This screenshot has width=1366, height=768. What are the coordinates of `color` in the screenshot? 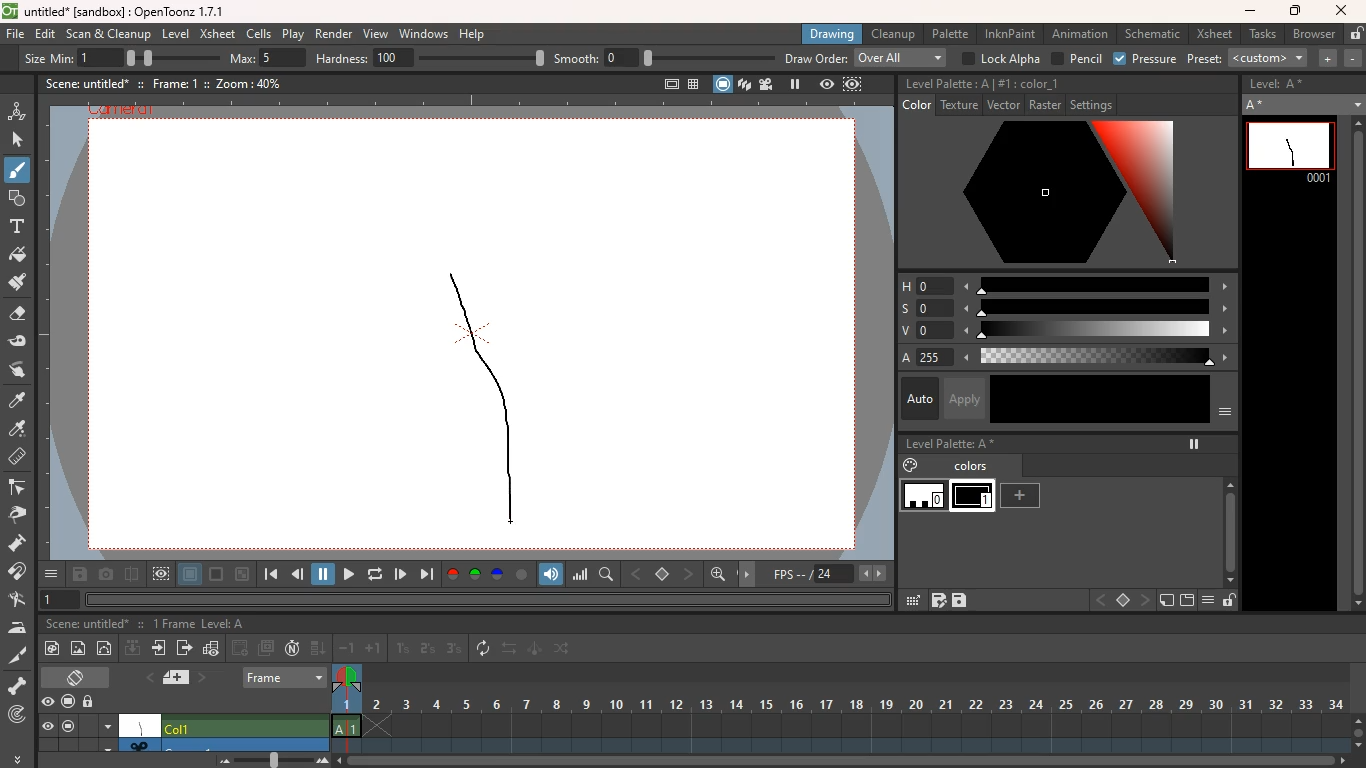 It's located at (1055, 195).